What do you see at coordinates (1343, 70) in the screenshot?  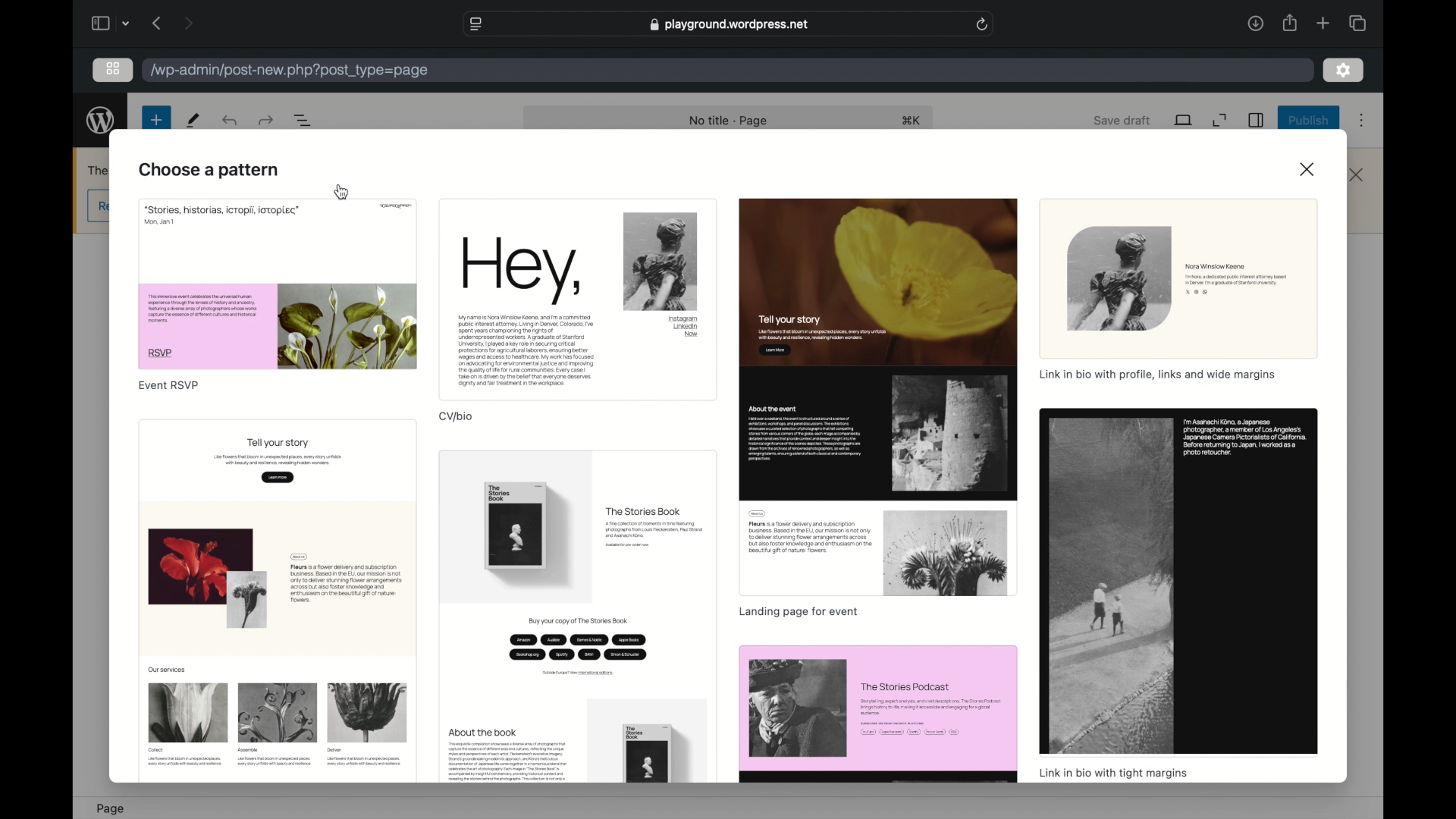 I see `settings` at bounding box center [1343, 70].